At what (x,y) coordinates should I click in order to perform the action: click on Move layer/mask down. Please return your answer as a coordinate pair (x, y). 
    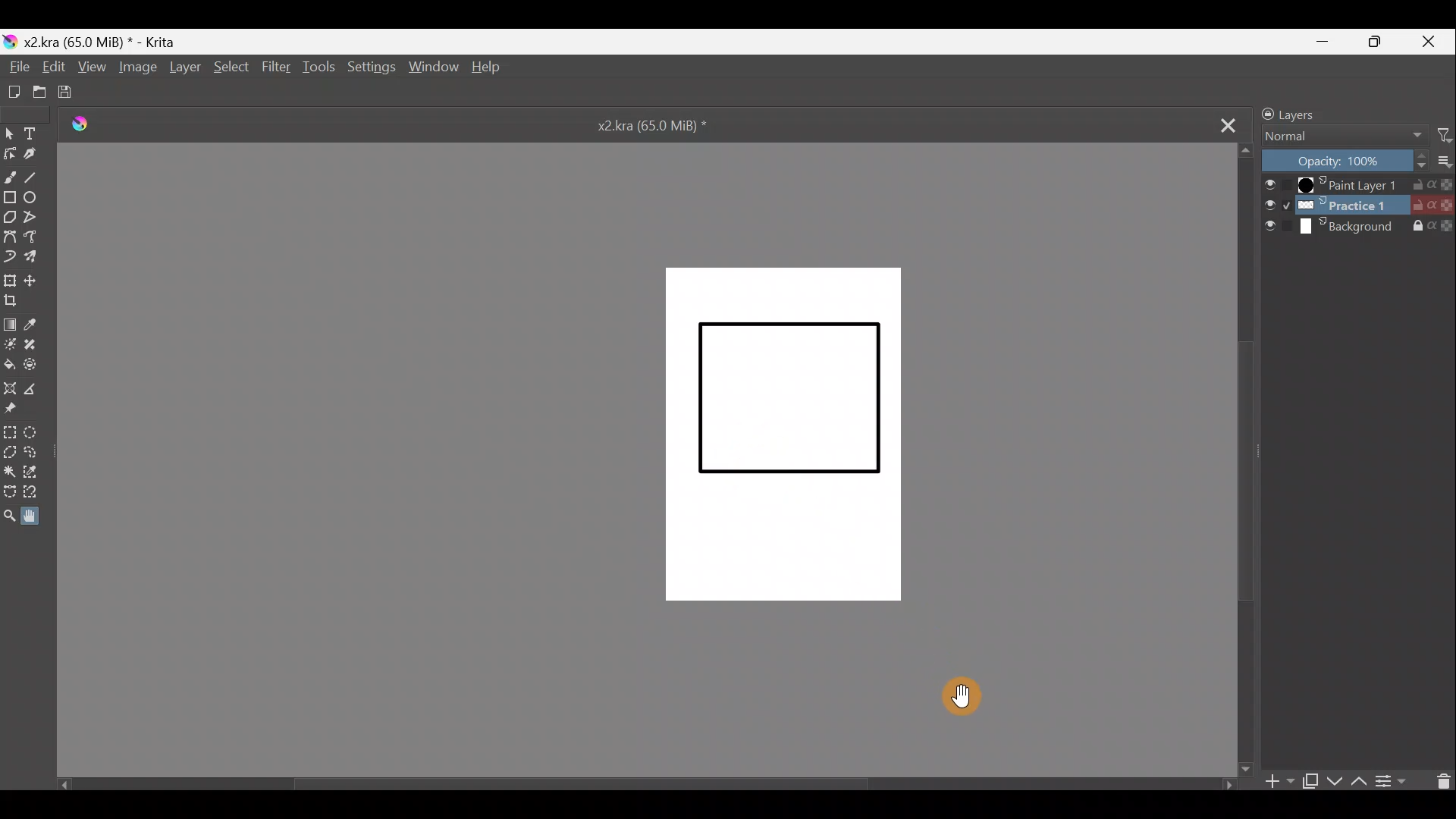
    Looking at the image, I should click on (1332, 781).